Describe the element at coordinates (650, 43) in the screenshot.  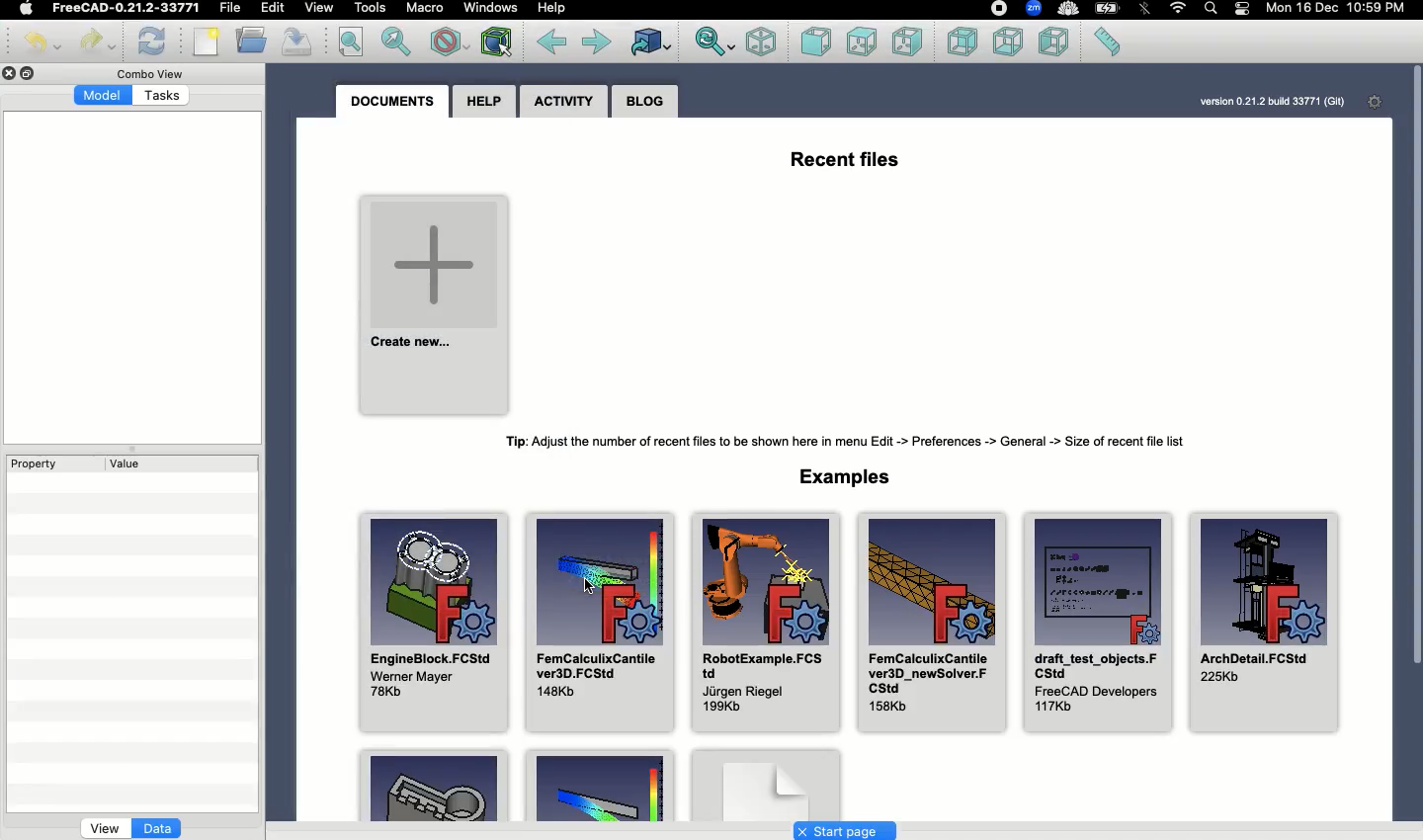
I see `Go to linked object ` at that location.